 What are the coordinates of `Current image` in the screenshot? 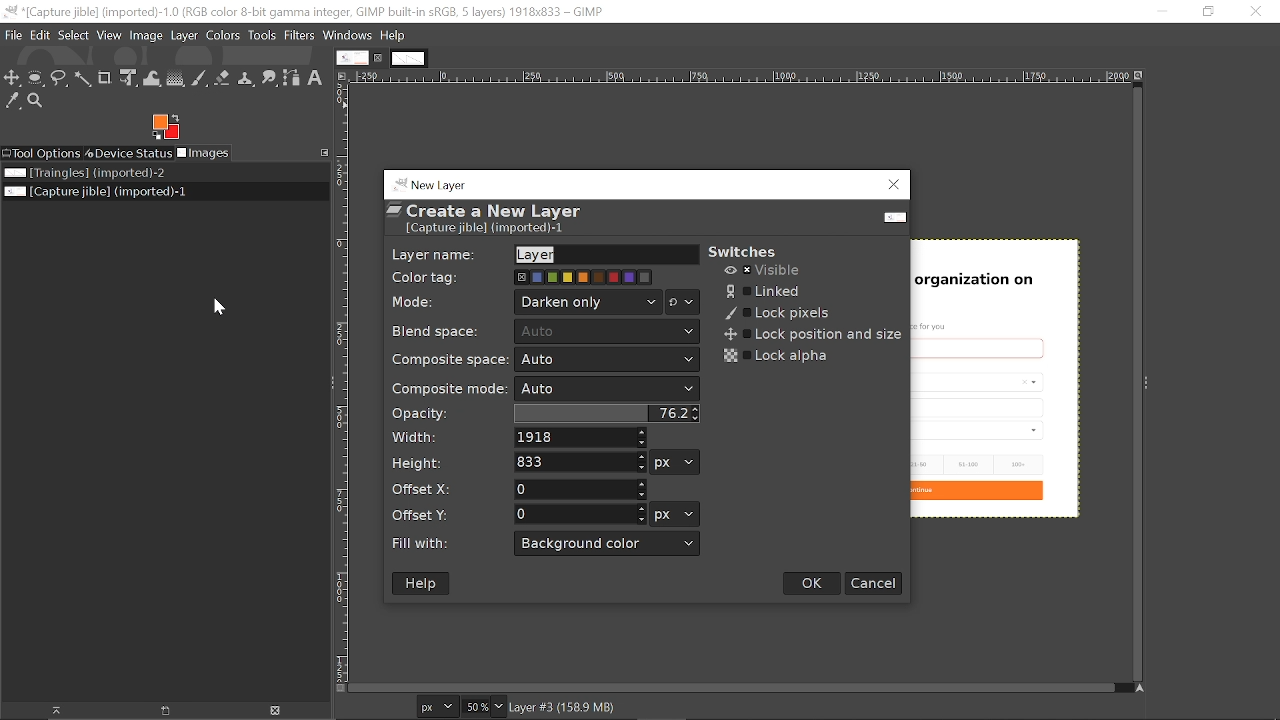 It's located at (1006, 372).